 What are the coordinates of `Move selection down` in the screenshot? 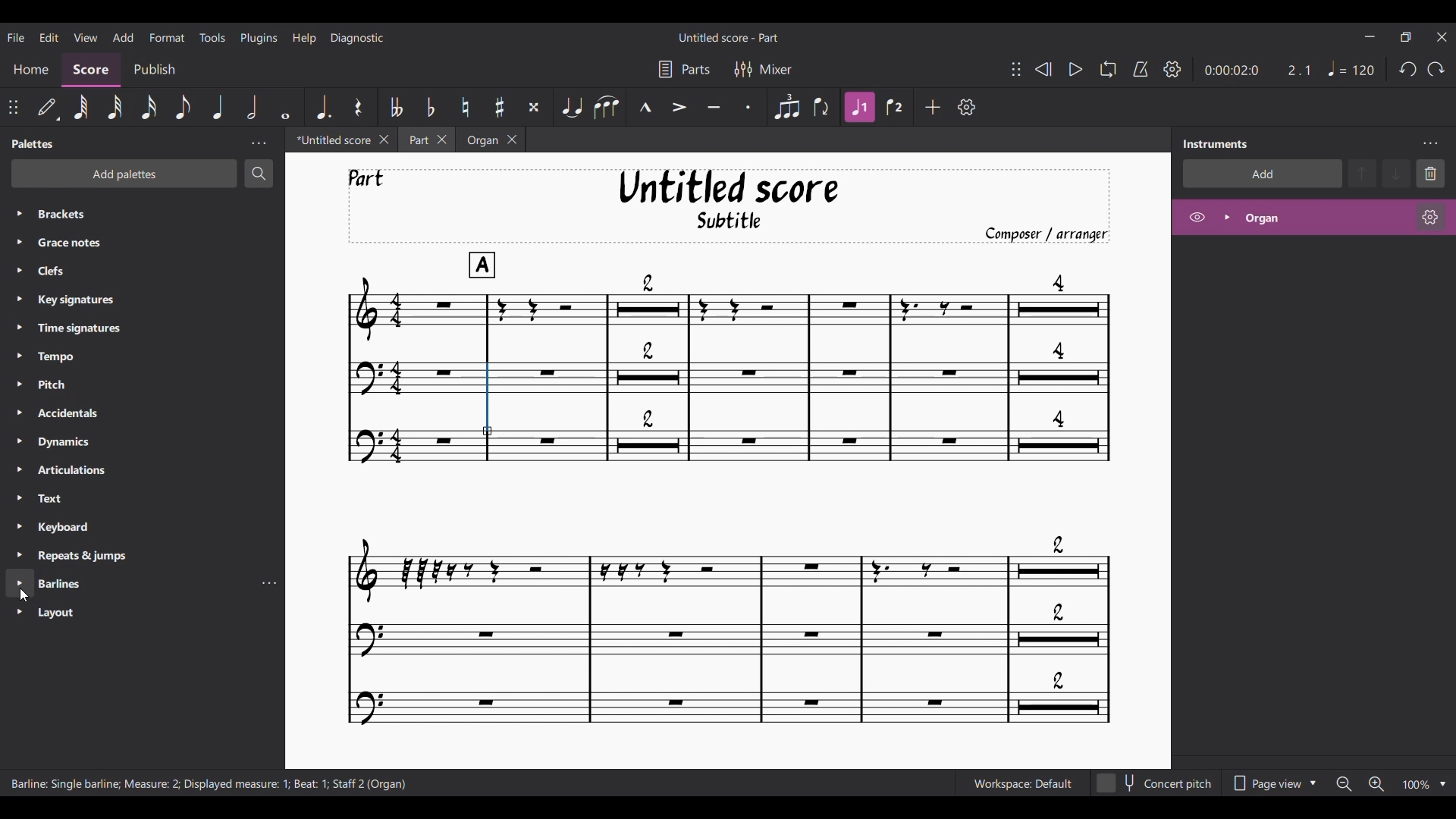 It's located at (1396, 174).